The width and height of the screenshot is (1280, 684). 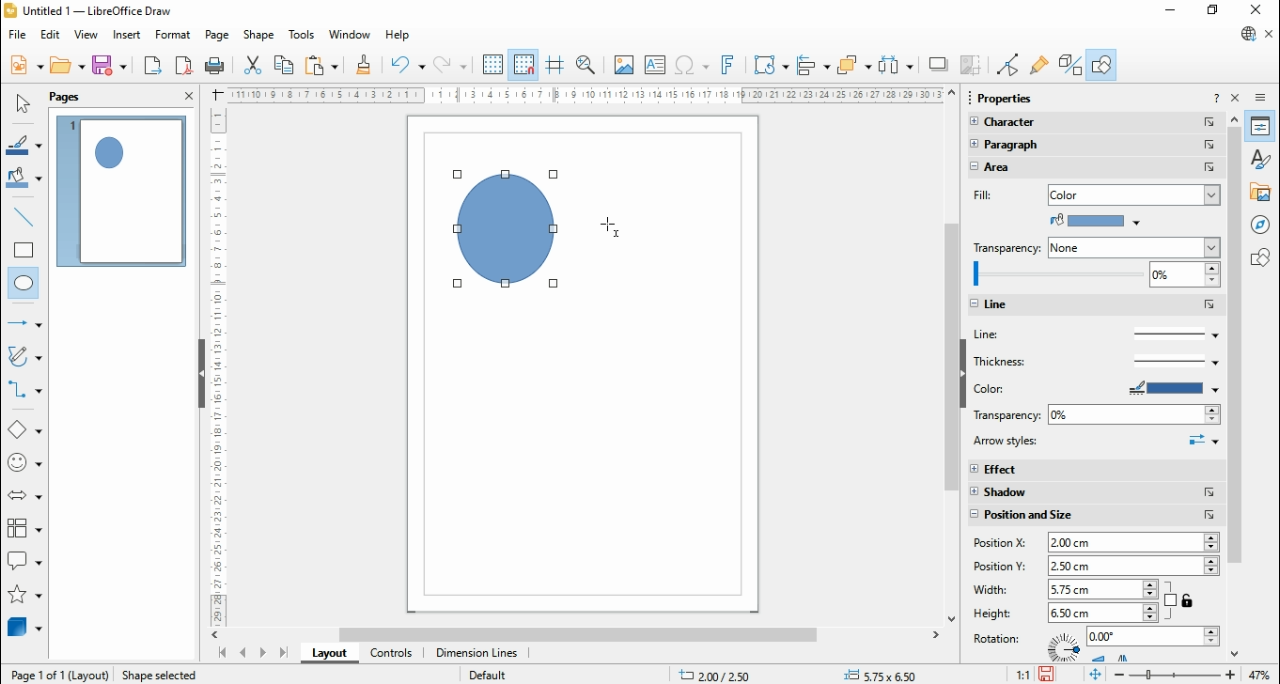 What do you see at coordinates (25, 179) in the screenshot?
I see `fill color` at bounding box center [25, 179].